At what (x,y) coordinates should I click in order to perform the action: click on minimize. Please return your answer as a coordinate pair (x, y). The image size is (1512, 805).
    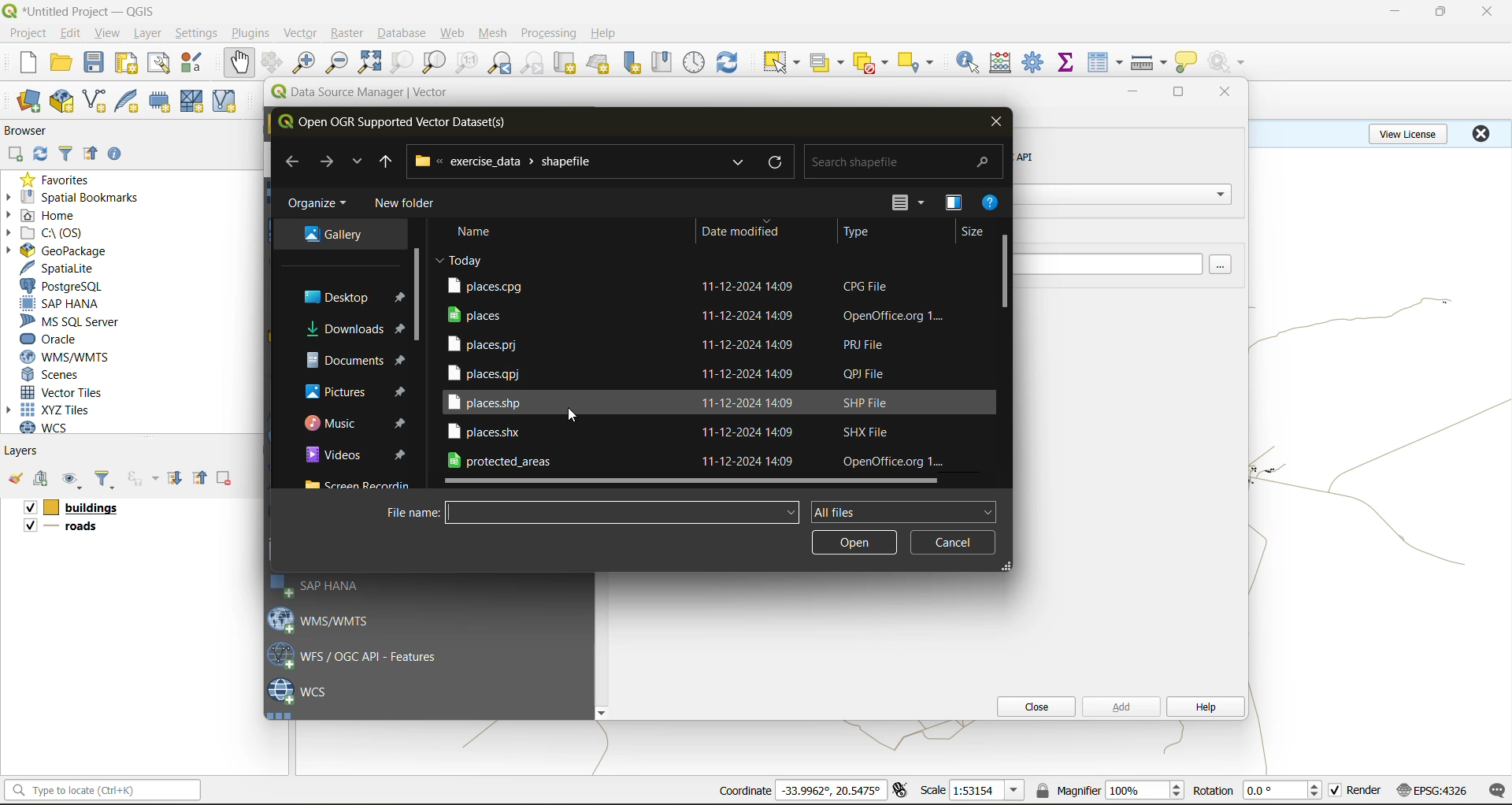
    Looking at the image, I should click on (1132, 93).